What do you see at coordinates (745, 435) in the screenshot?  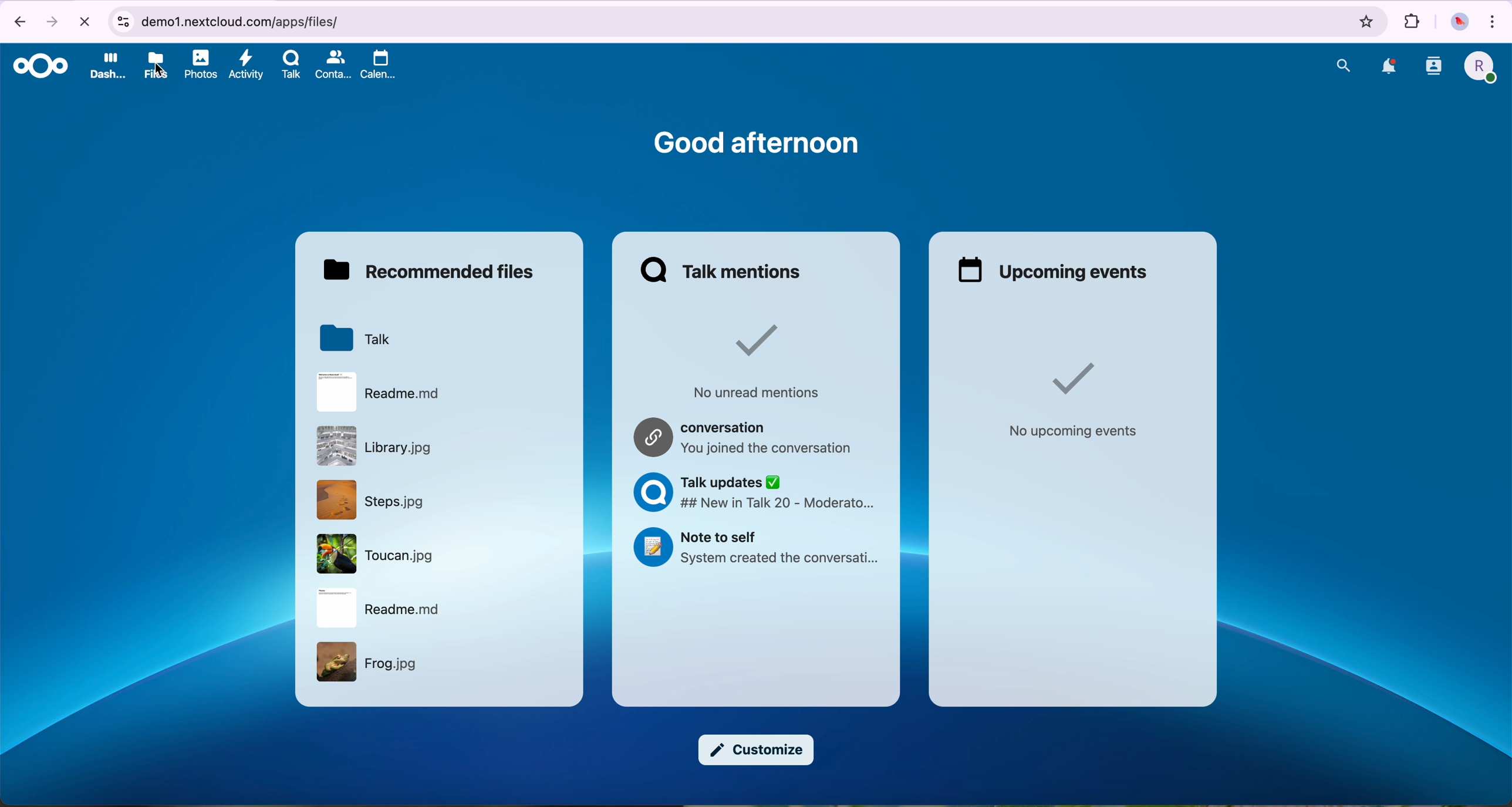 I see `conversation` at bounding box center [745, 435].